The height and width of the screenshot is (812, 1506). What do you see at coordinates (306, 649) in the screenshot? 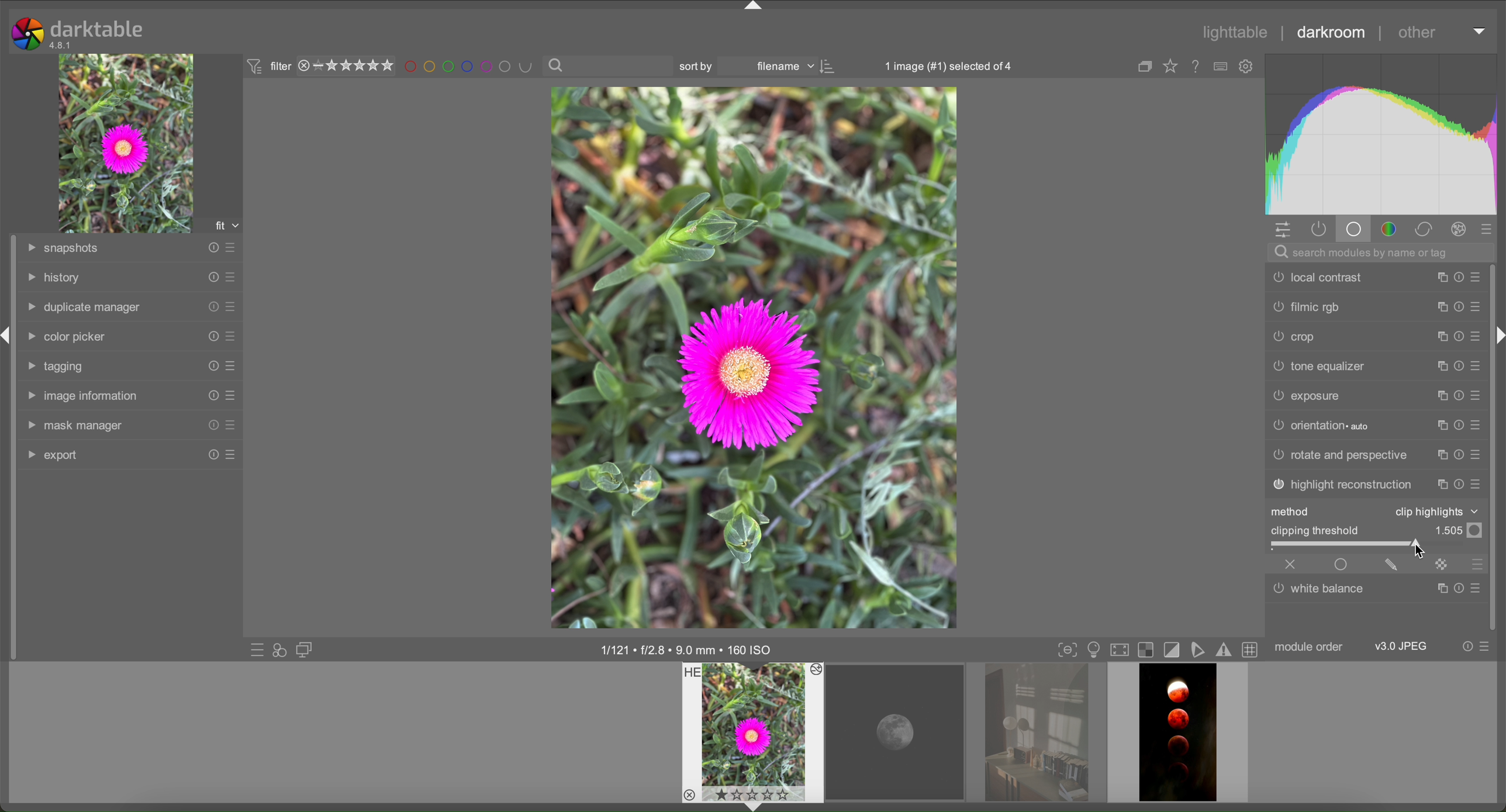
I see `display a second darkroom image window` at bounding box center [306, 649].